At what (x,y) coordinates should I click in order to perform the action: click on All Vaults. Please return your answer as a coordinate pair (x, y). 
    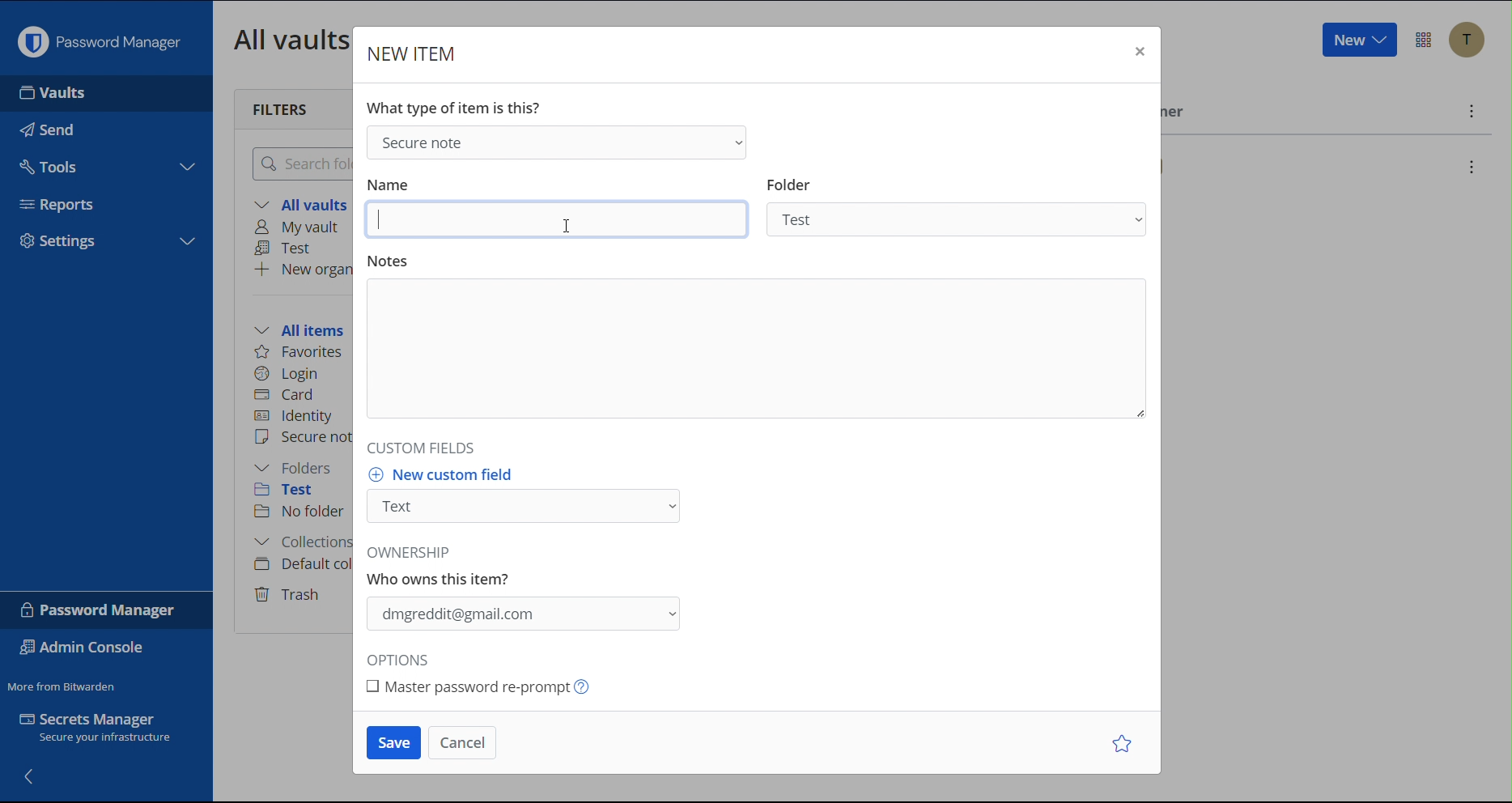
    Looking at the image, I should click on (287, 39).